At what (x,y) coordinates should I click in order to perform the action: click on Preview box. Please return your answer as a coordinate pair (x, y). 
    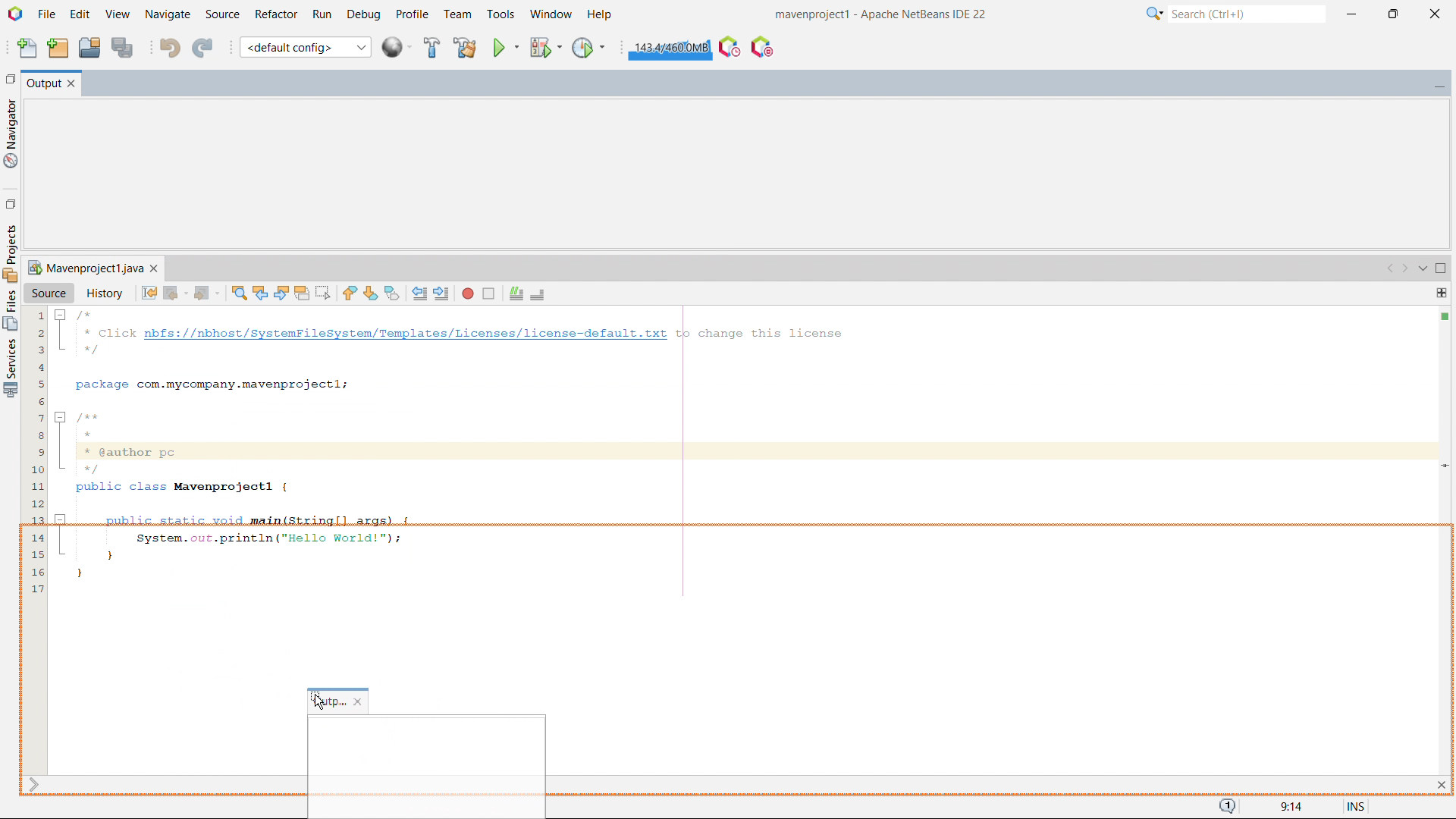
    Looking at the image, I should click on (426, 763).